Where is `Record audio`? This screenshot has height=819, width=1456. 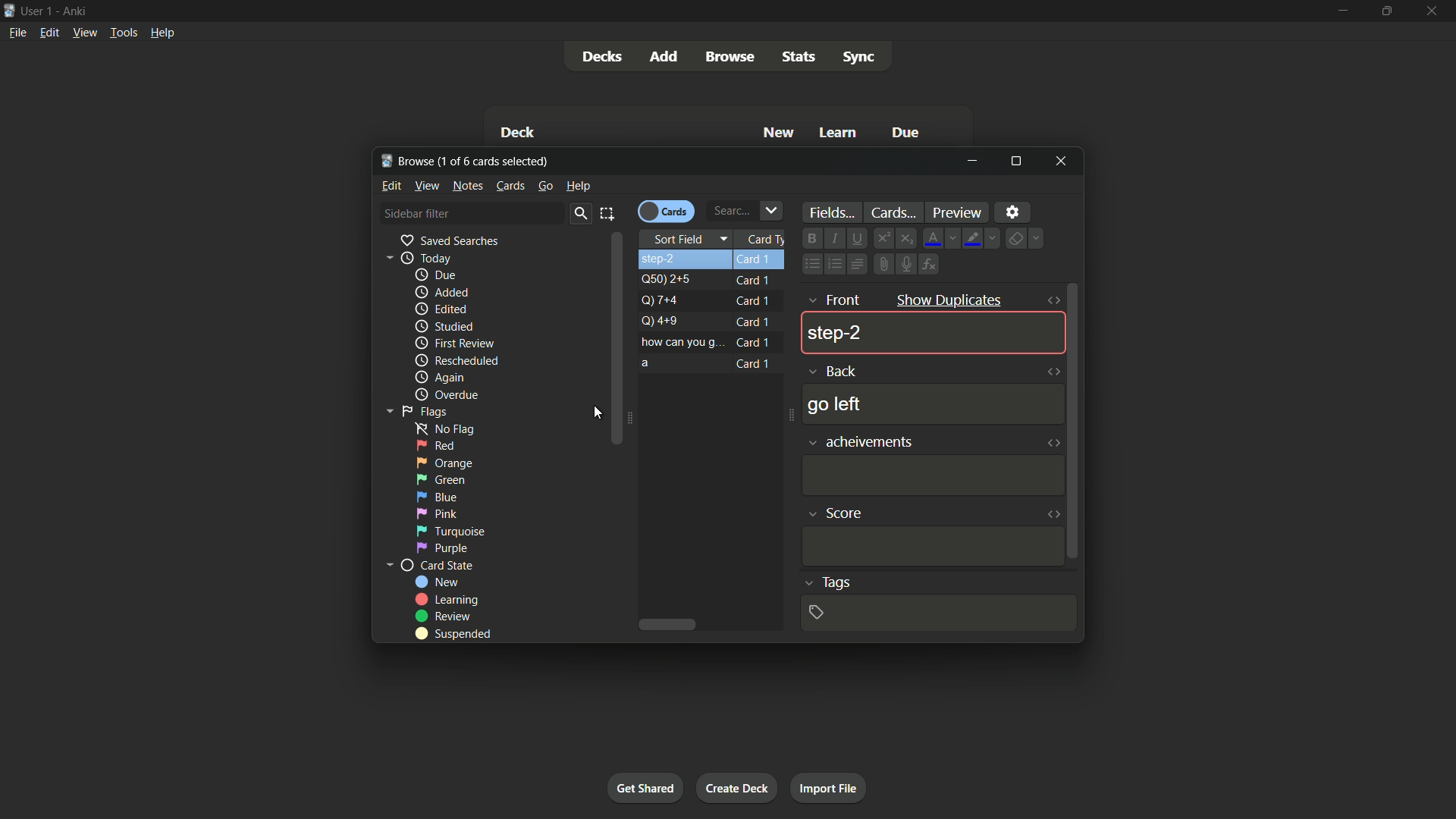
Record audio is located at coordinates (883, 264).